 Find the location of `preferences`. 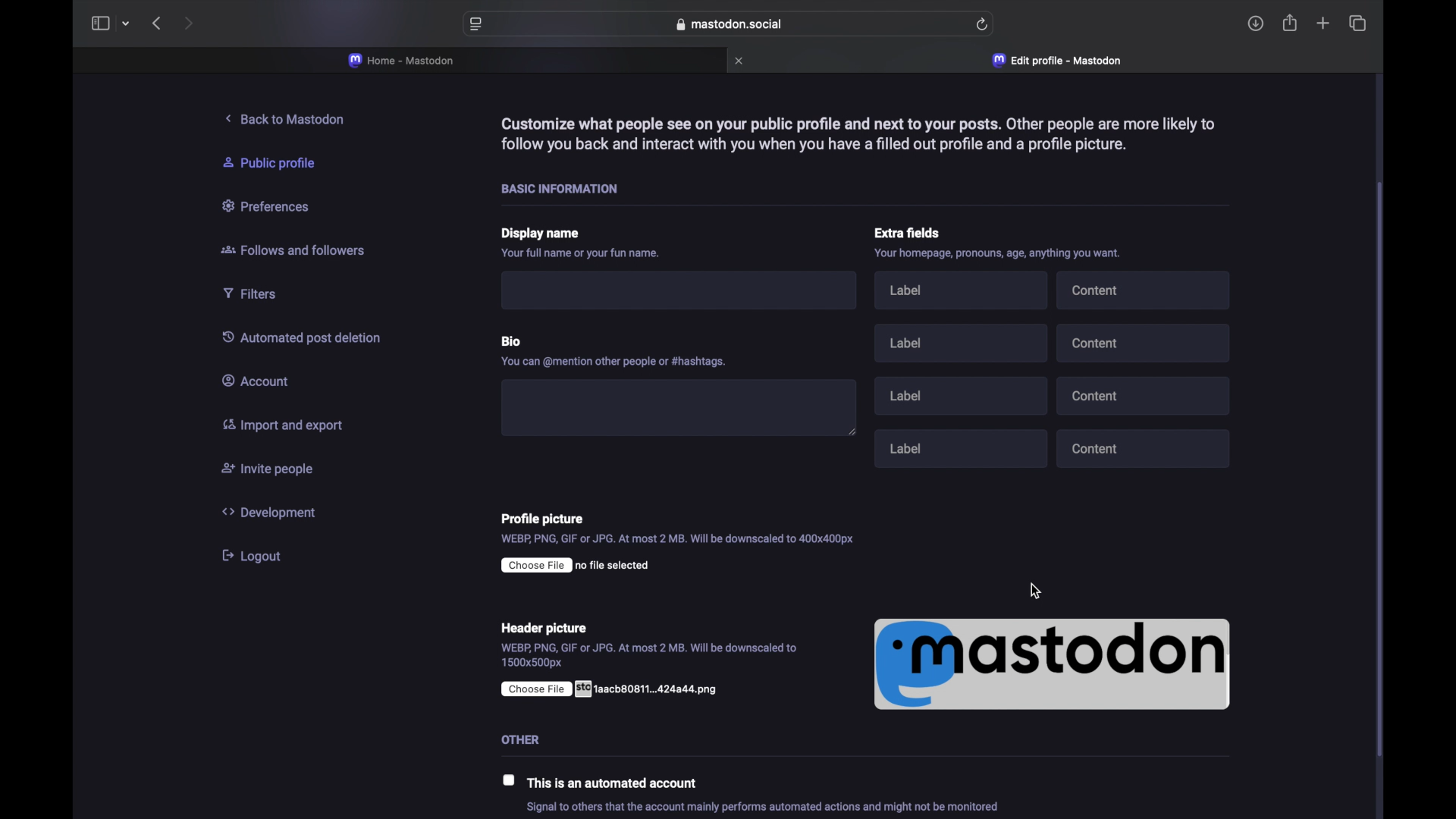

preferences is located at coordinates (269, 207).